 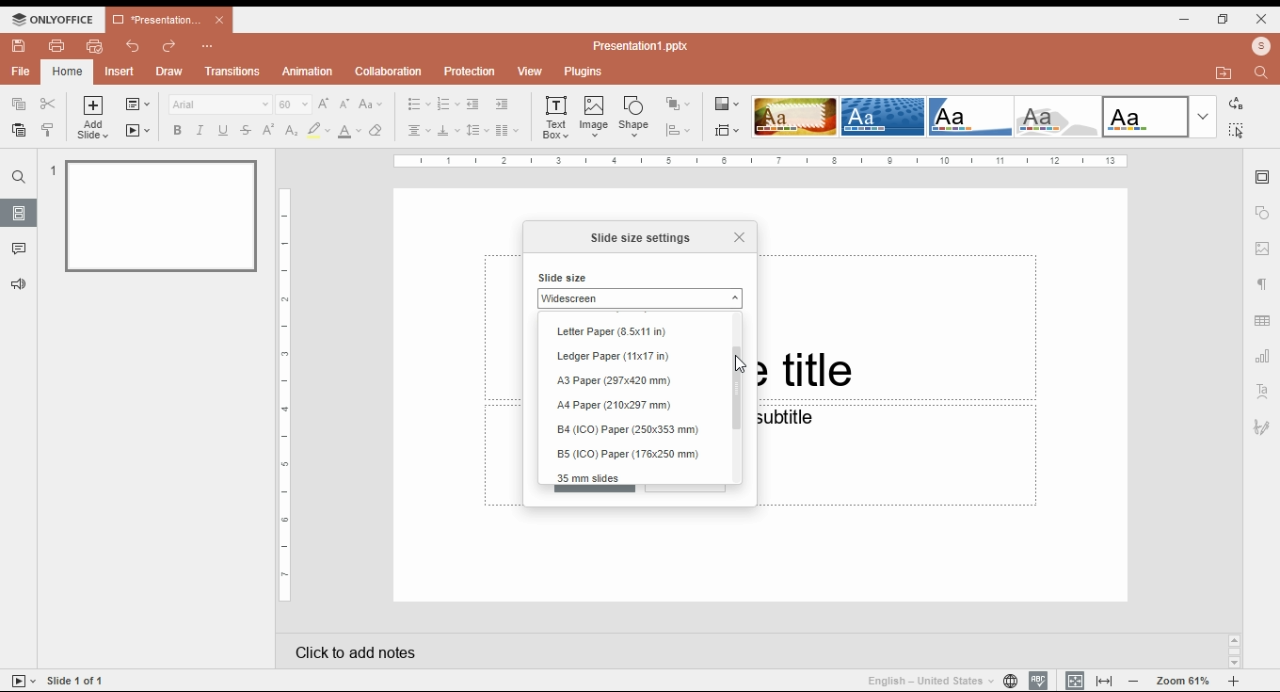 I want to click on save, so click(x=18, y=46).